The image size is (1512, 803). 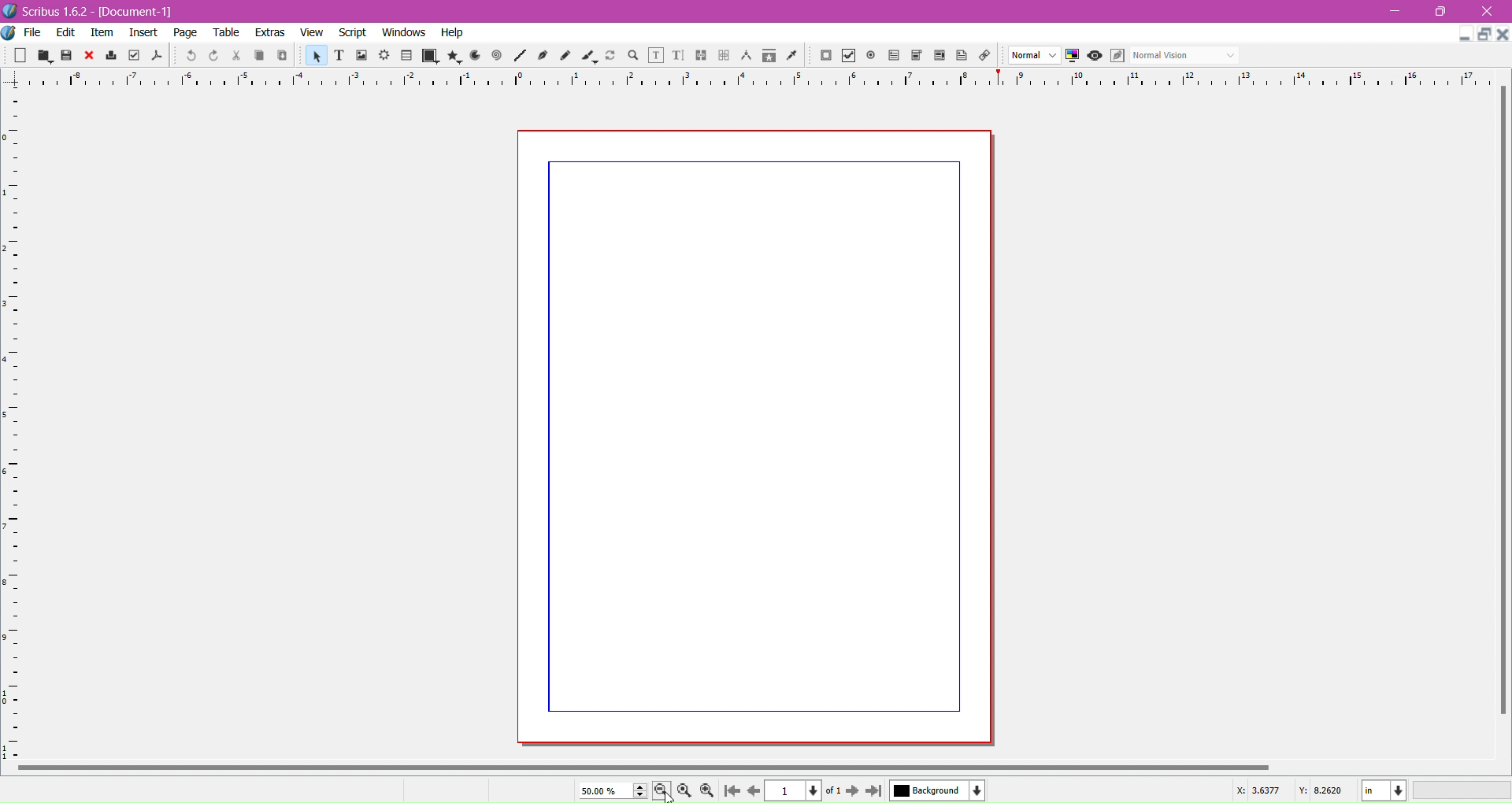 I want to click on Shape, so click(x=429, y=57).